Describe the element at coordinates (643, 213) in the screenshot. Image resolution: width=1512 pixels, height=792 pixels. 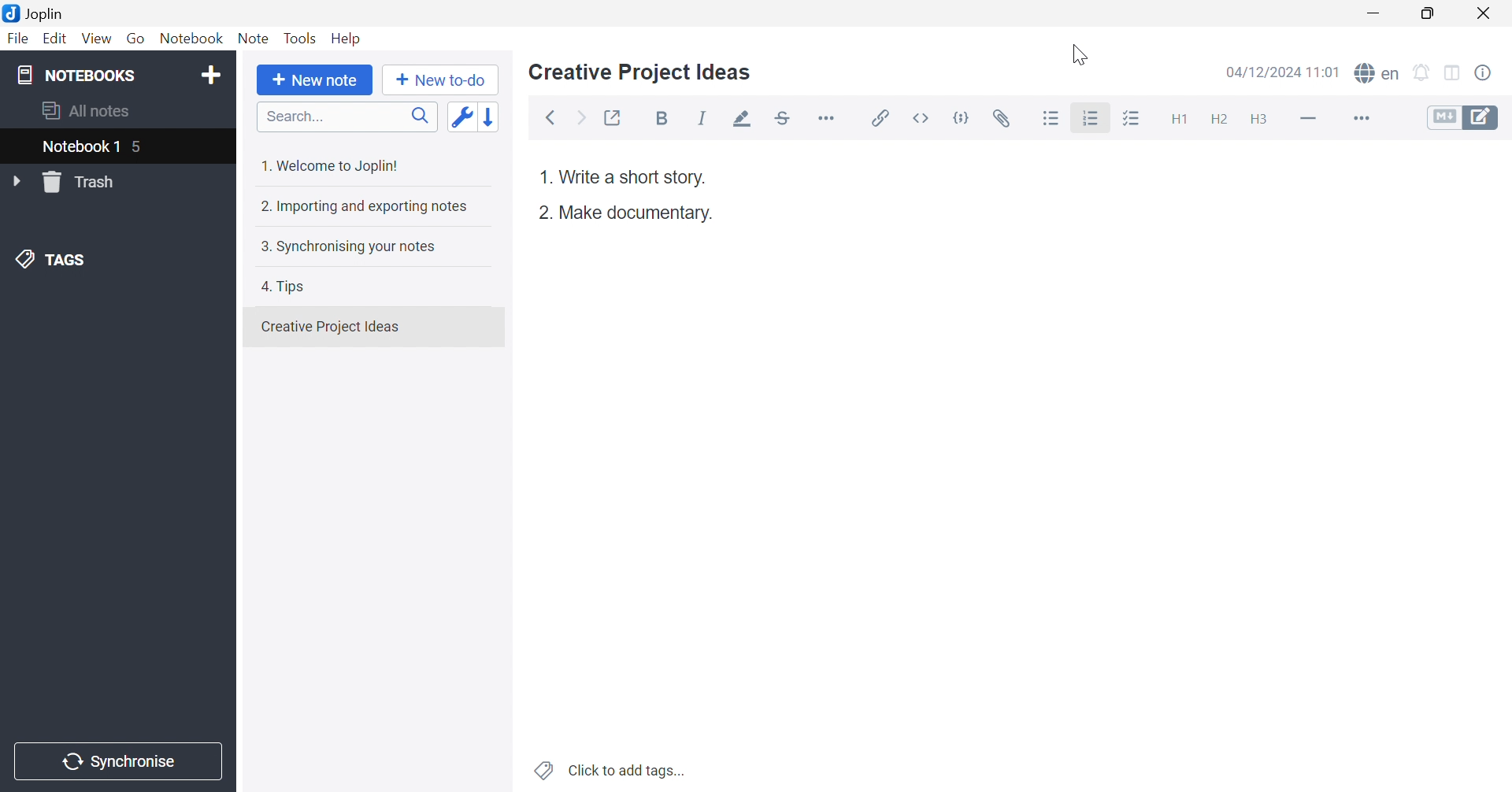
I see `Make a documentry.` at that location.